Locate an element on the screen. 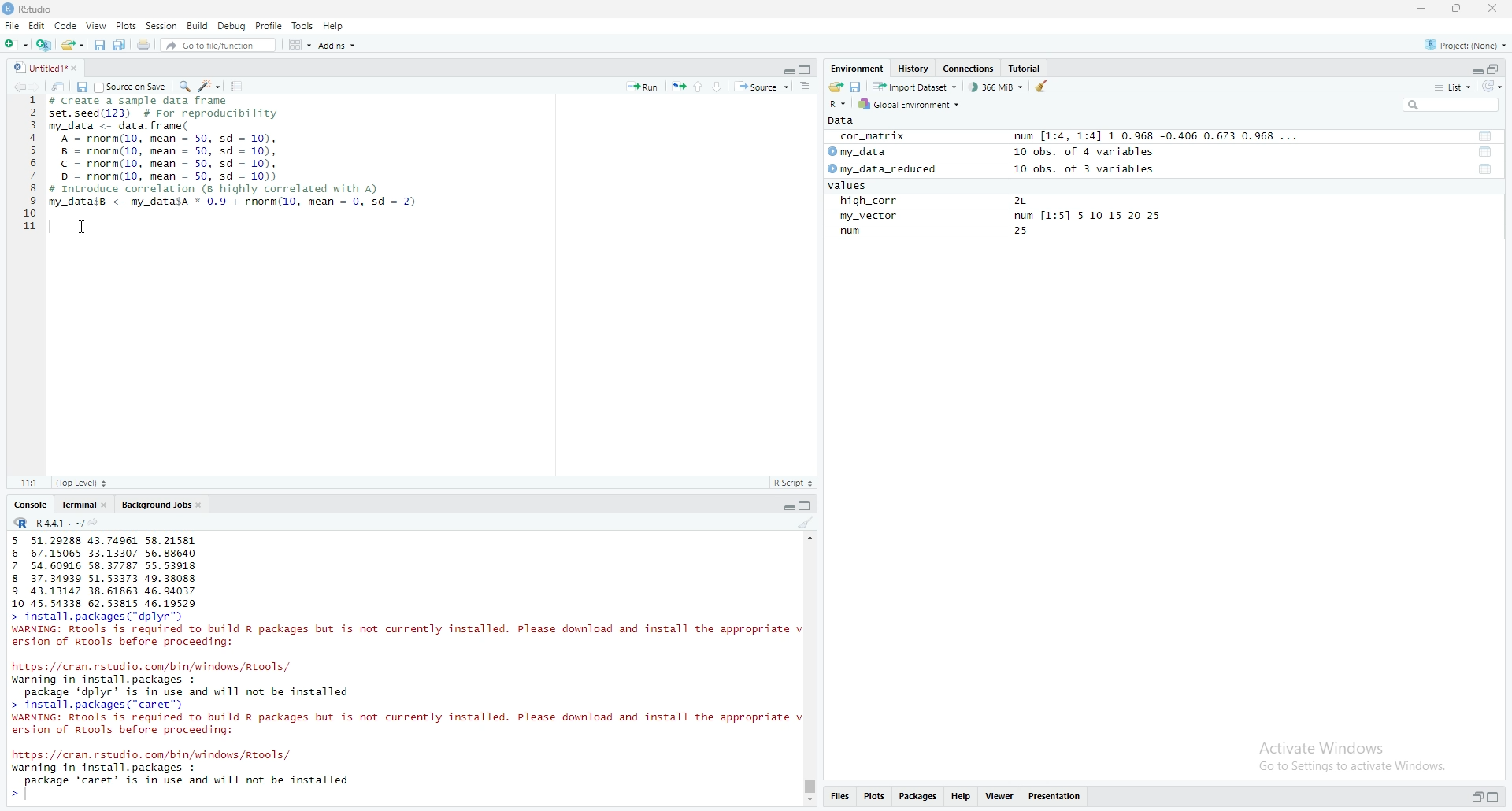  expand is located at coordinates (1493, 797).